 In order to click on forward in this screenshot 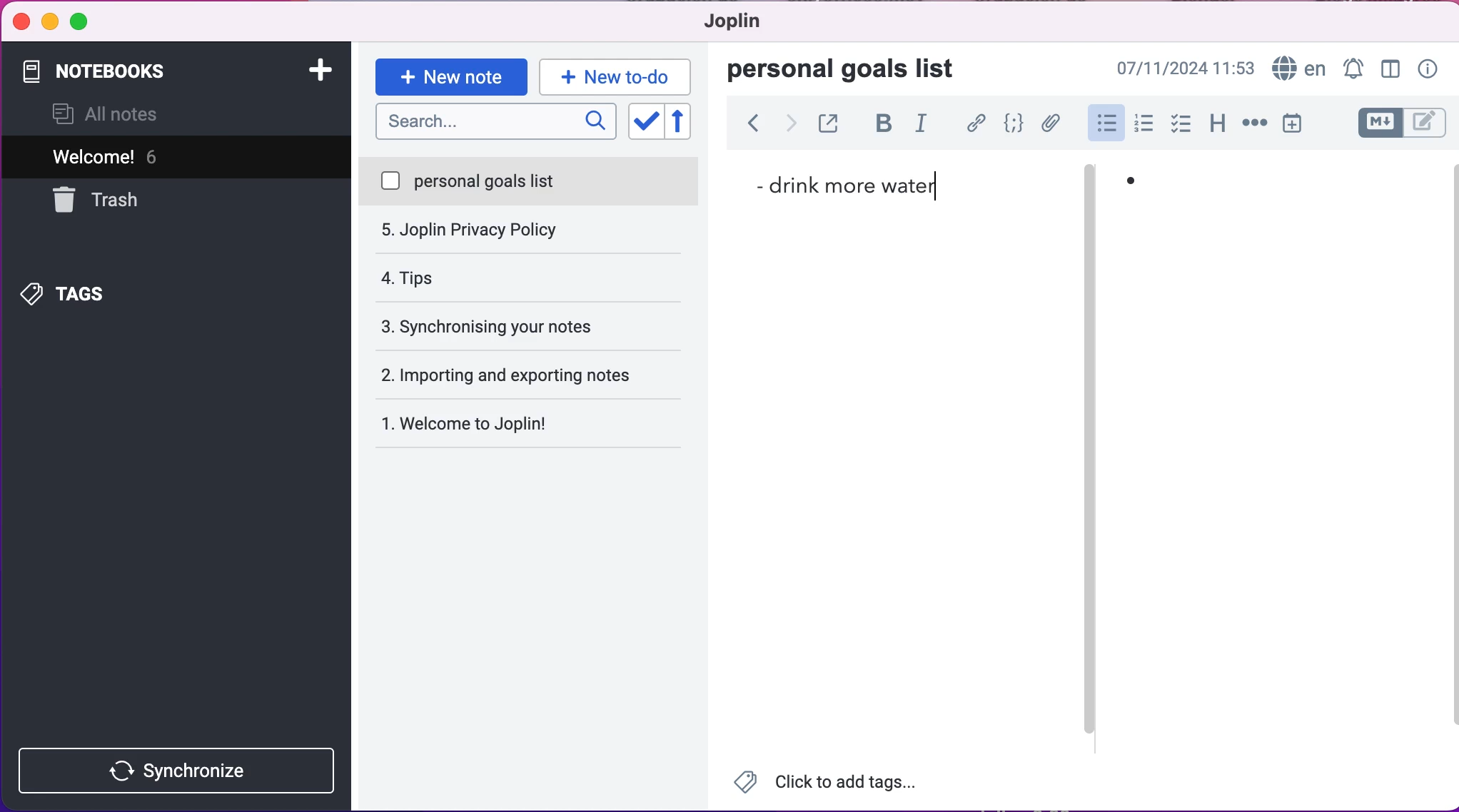, I will do `click(792, 126)`.